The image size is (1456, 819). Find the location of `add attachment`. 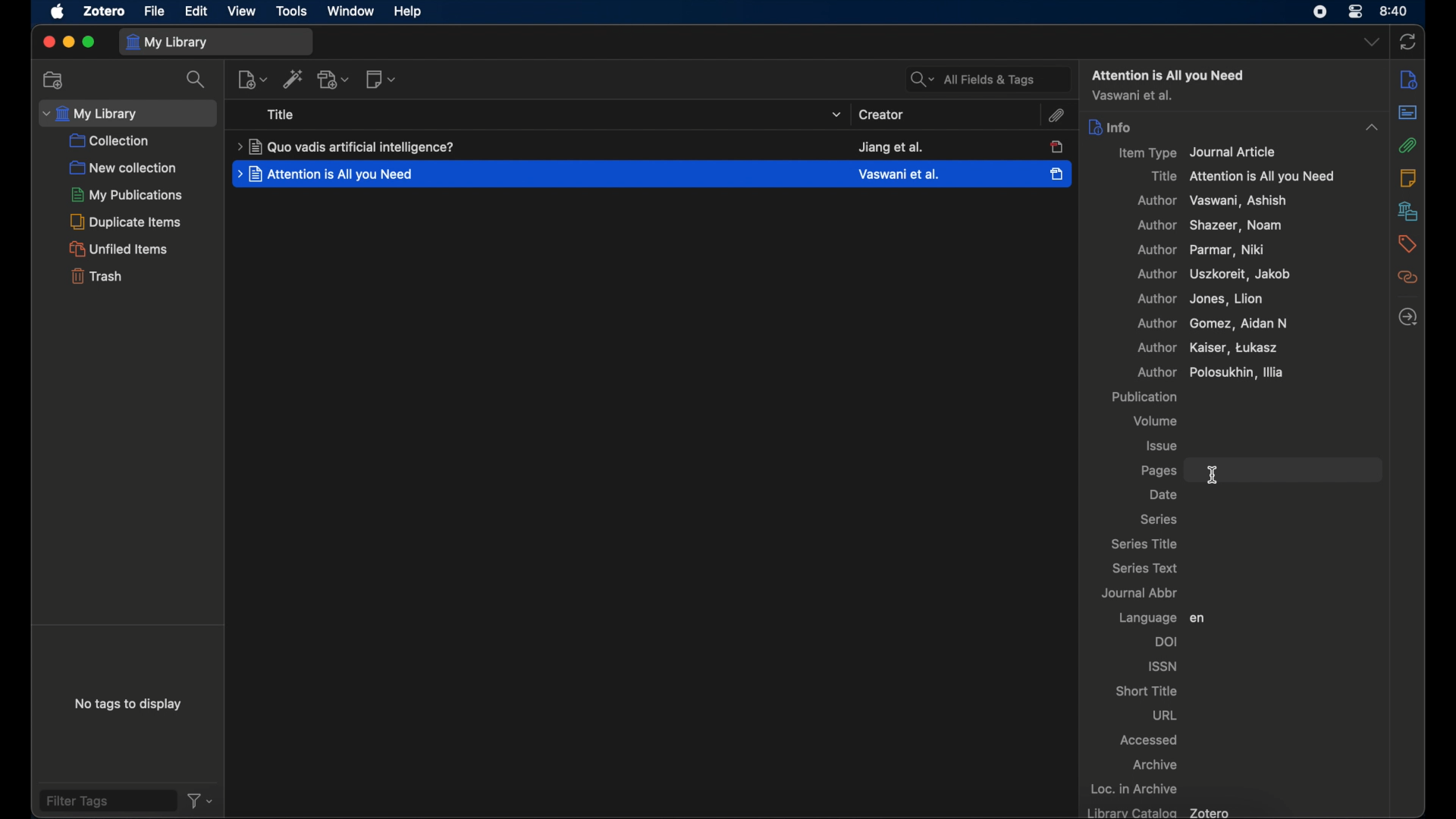

add attachment is located at coordinates (333, 80).